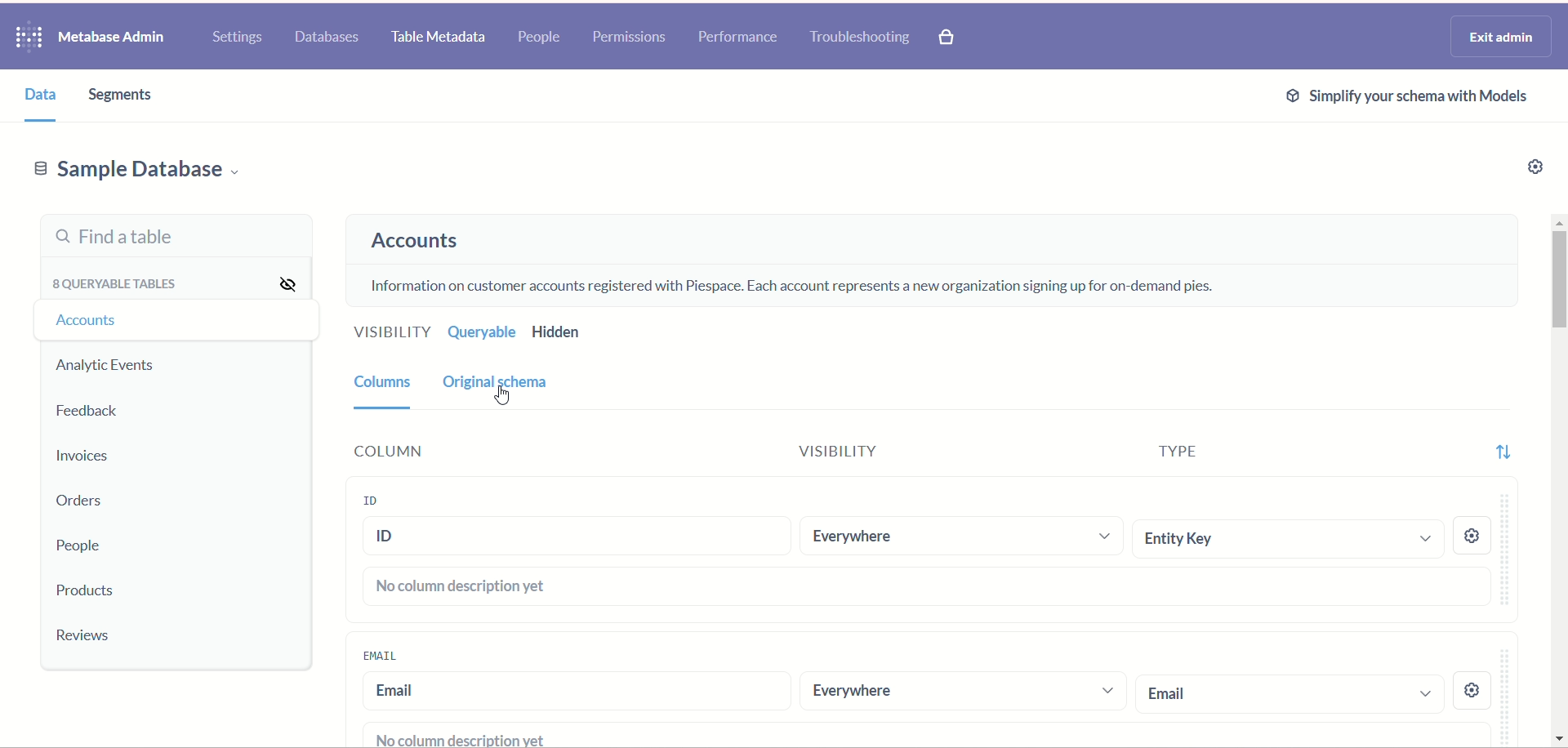 Image resolution: width=1568 pixels, height=748 pixels. I want to click on id, so click(372, 500).